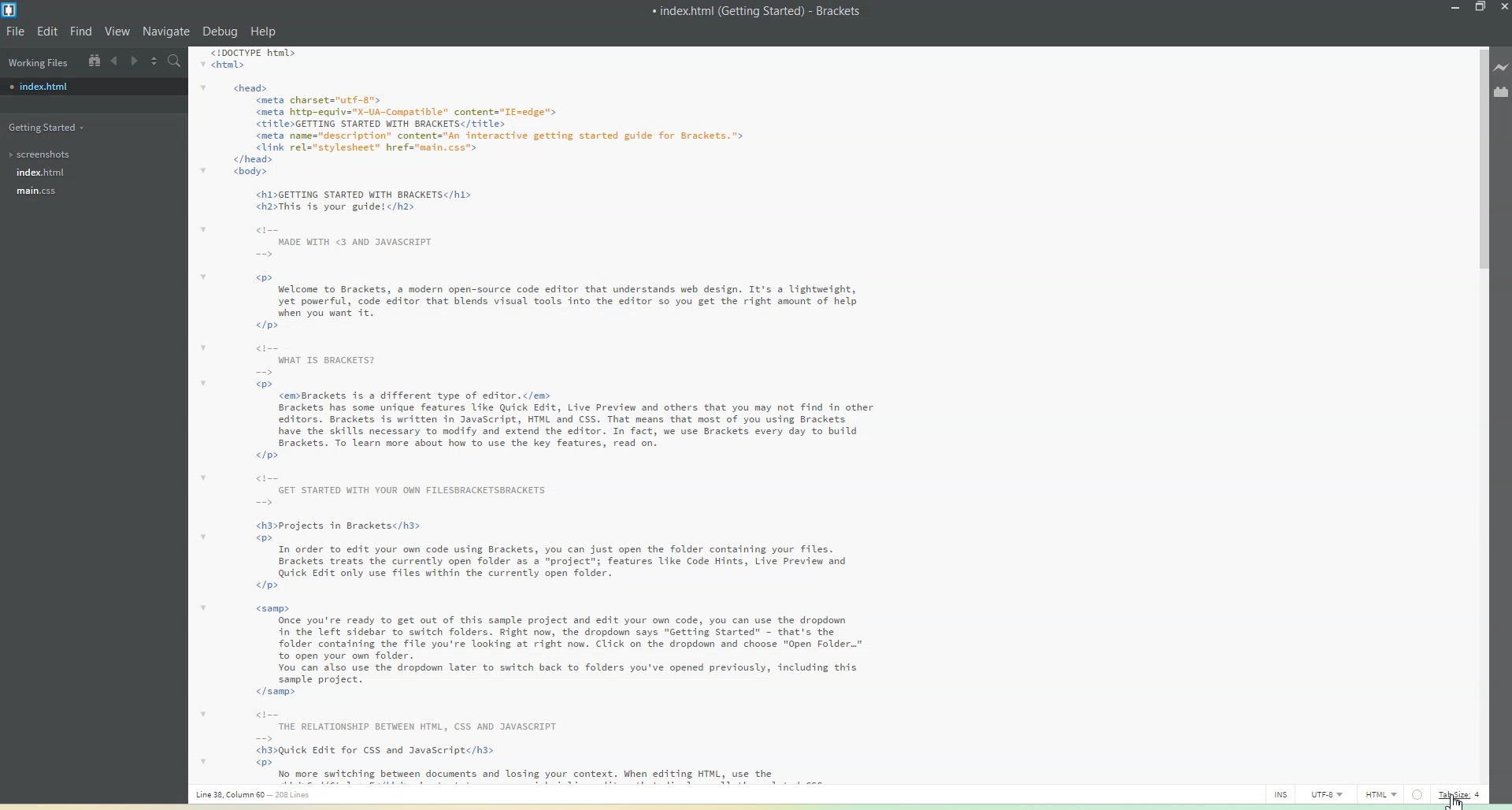 Image resolution: width=1512 pixels, height=810 pixels. Describe the element at coordinates (1456, 8) in the screenshot. I see `Minimize` at that location.